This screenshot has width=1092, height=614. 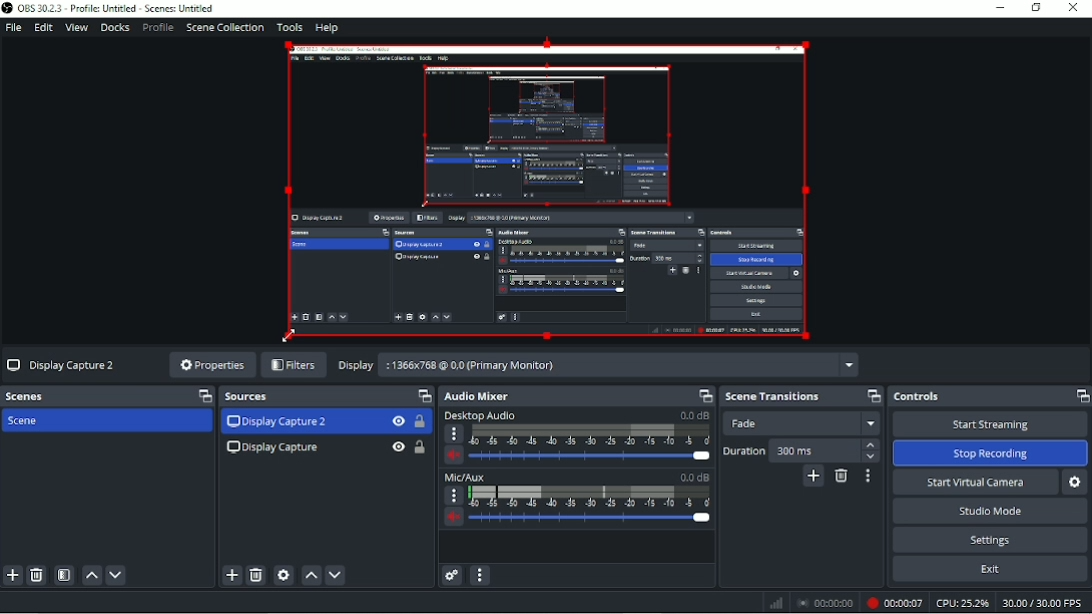 What do you see at coordinates (590, 436) in the screenshot?
I see `scale` at bounding box center [590, 436].